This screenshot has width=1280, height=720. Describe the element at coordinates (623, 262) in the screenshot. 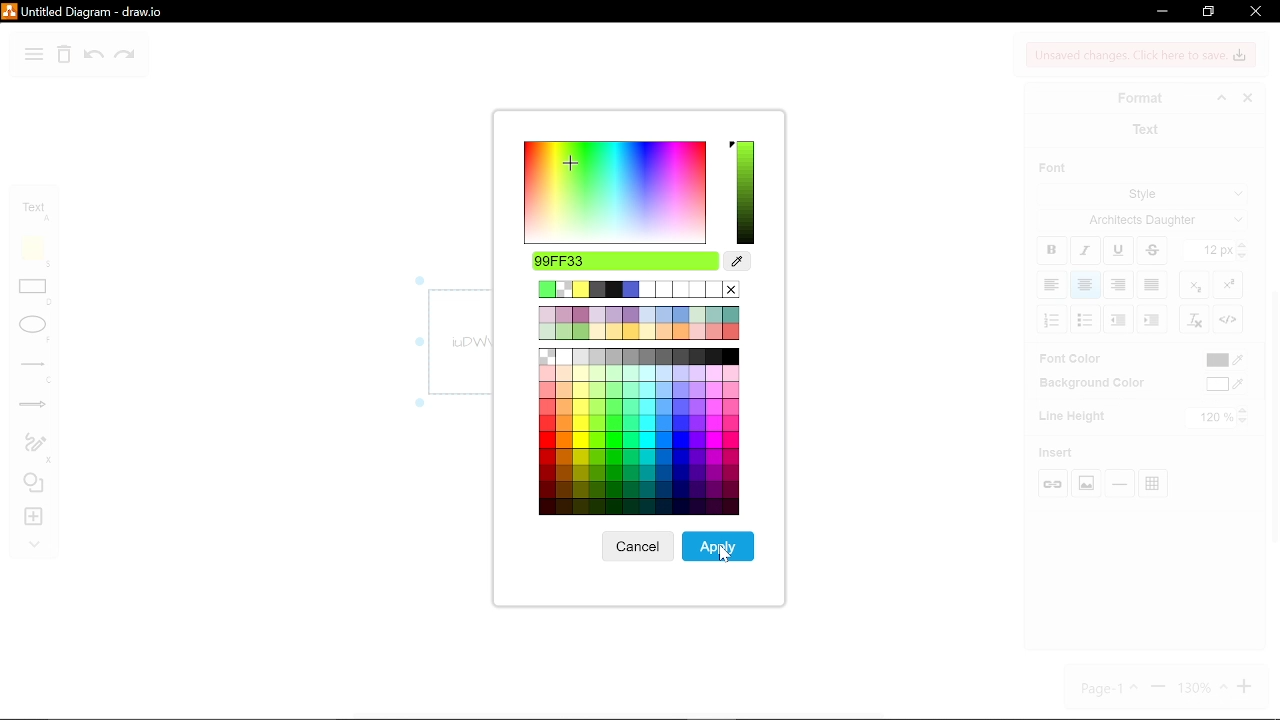

I see `selected color` at that location.